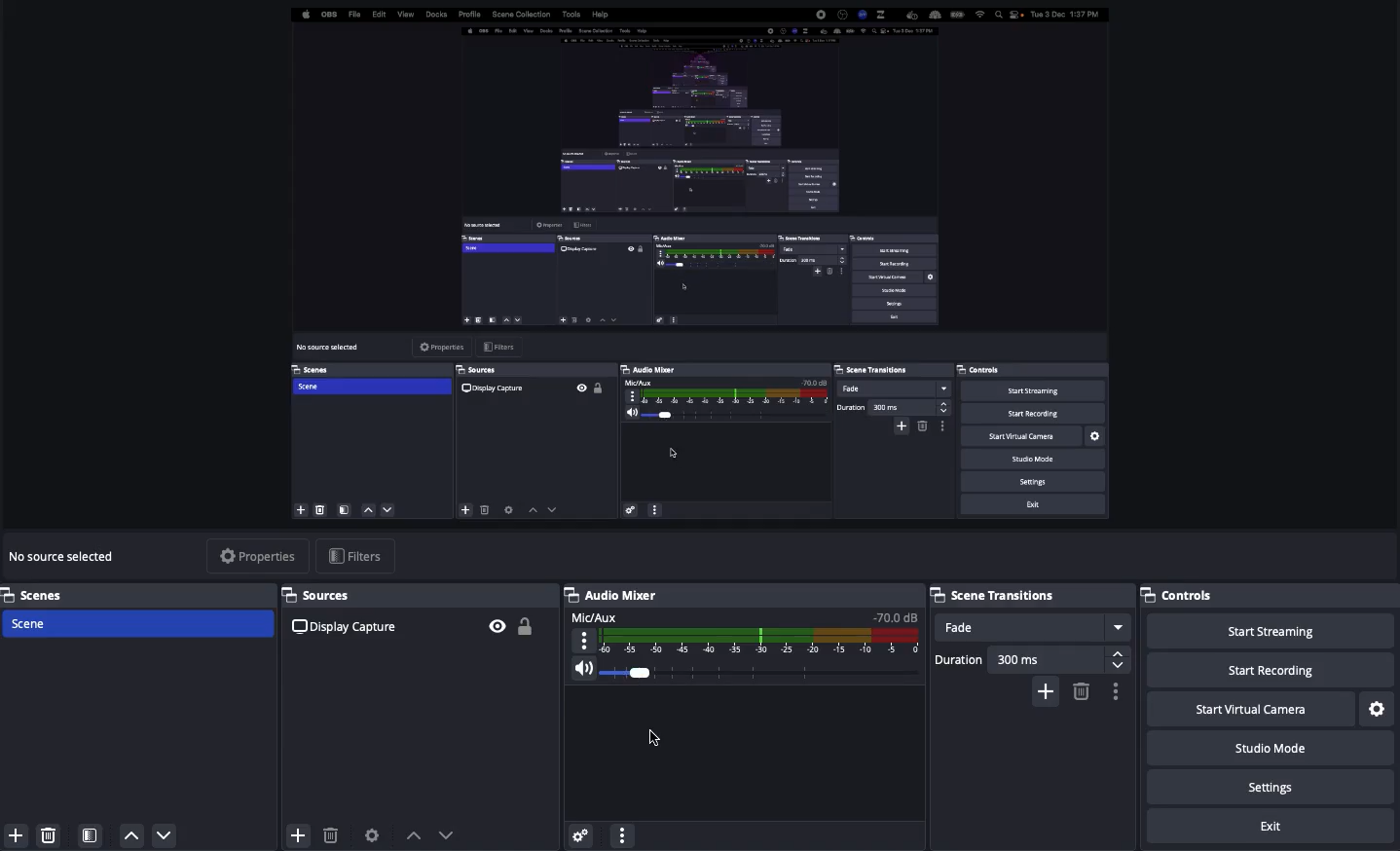 Image resolution: width=1400 pixels, height=851 pixels. What do you see at coordinates (296, 832) in the screenshot?
I see `Add` at bounding box center [296, 832].